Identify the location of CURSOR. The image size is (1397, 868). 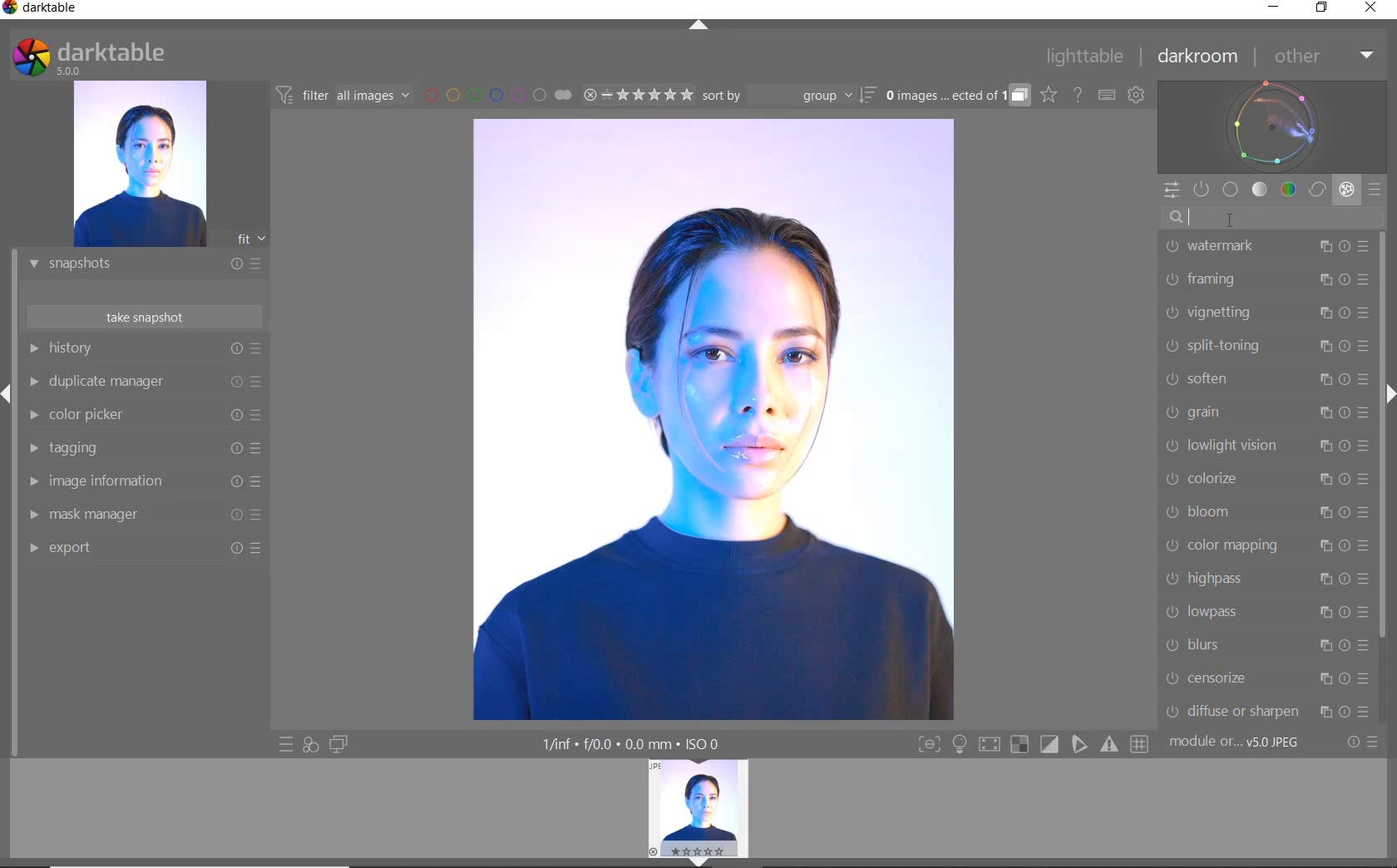
(1231, 218).